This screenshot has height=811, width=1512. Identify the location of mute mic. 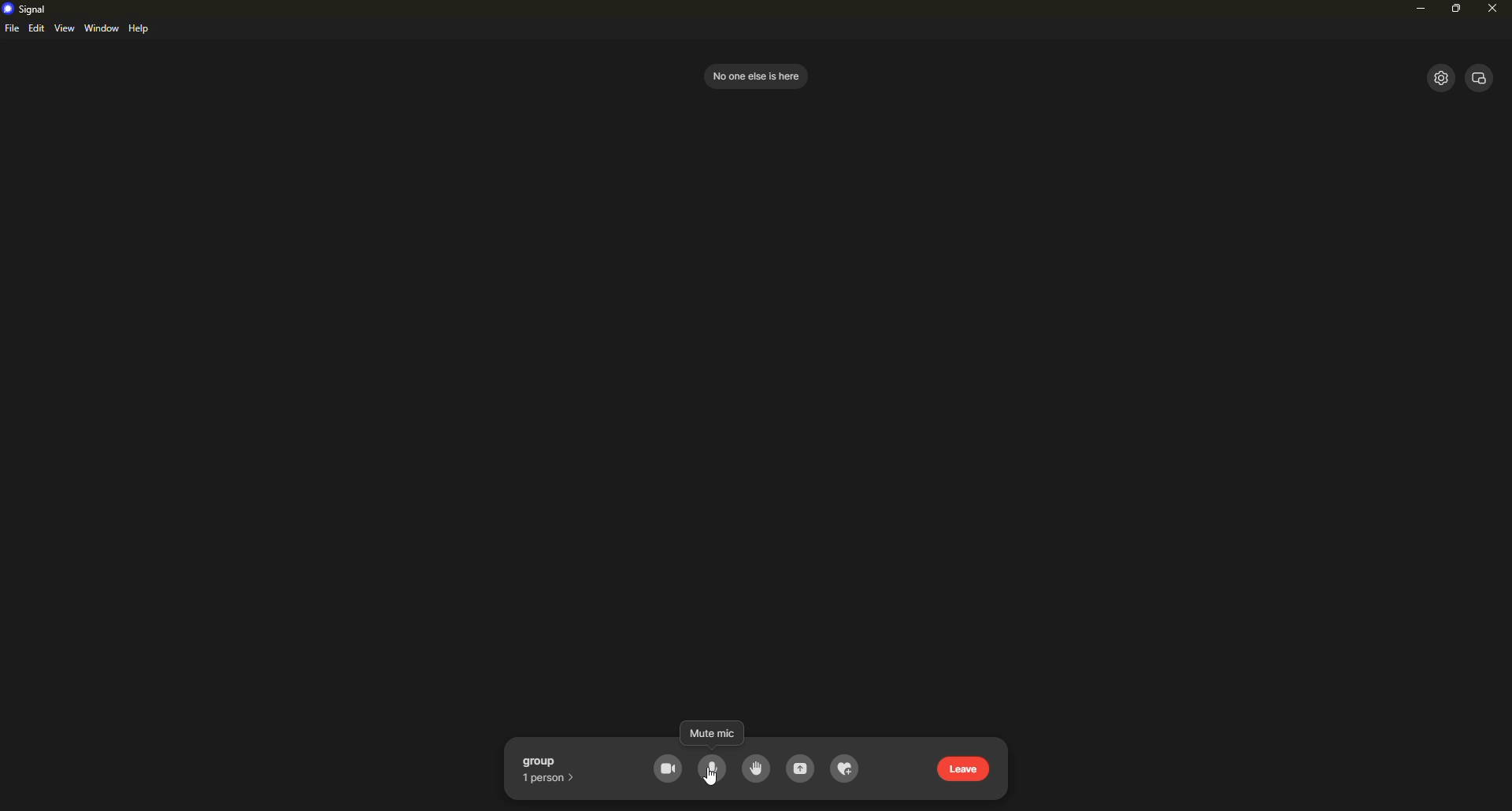
(710, 735).